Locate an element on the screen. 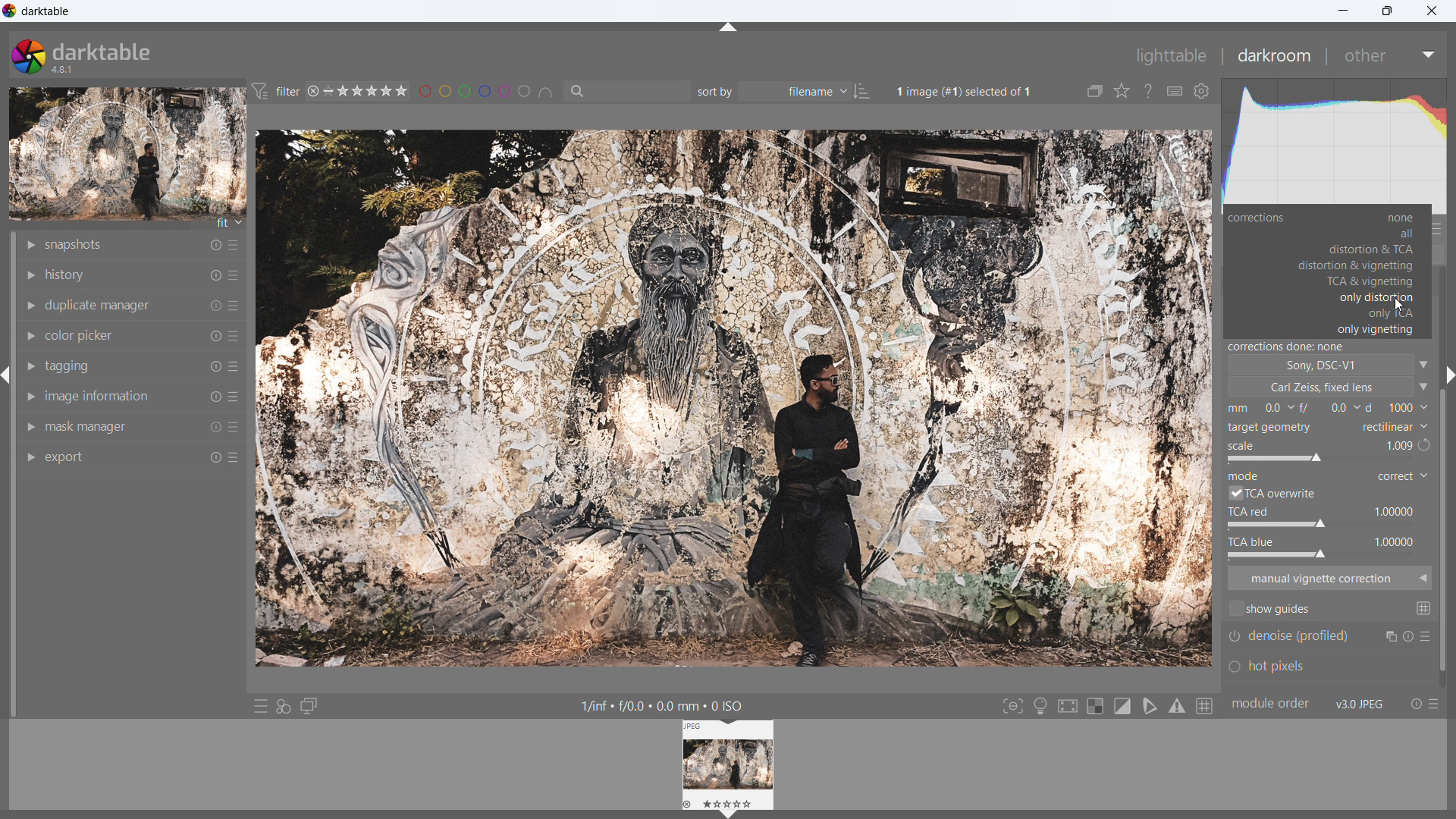  filter by text from images metadata is located at coordinates (626, 91).